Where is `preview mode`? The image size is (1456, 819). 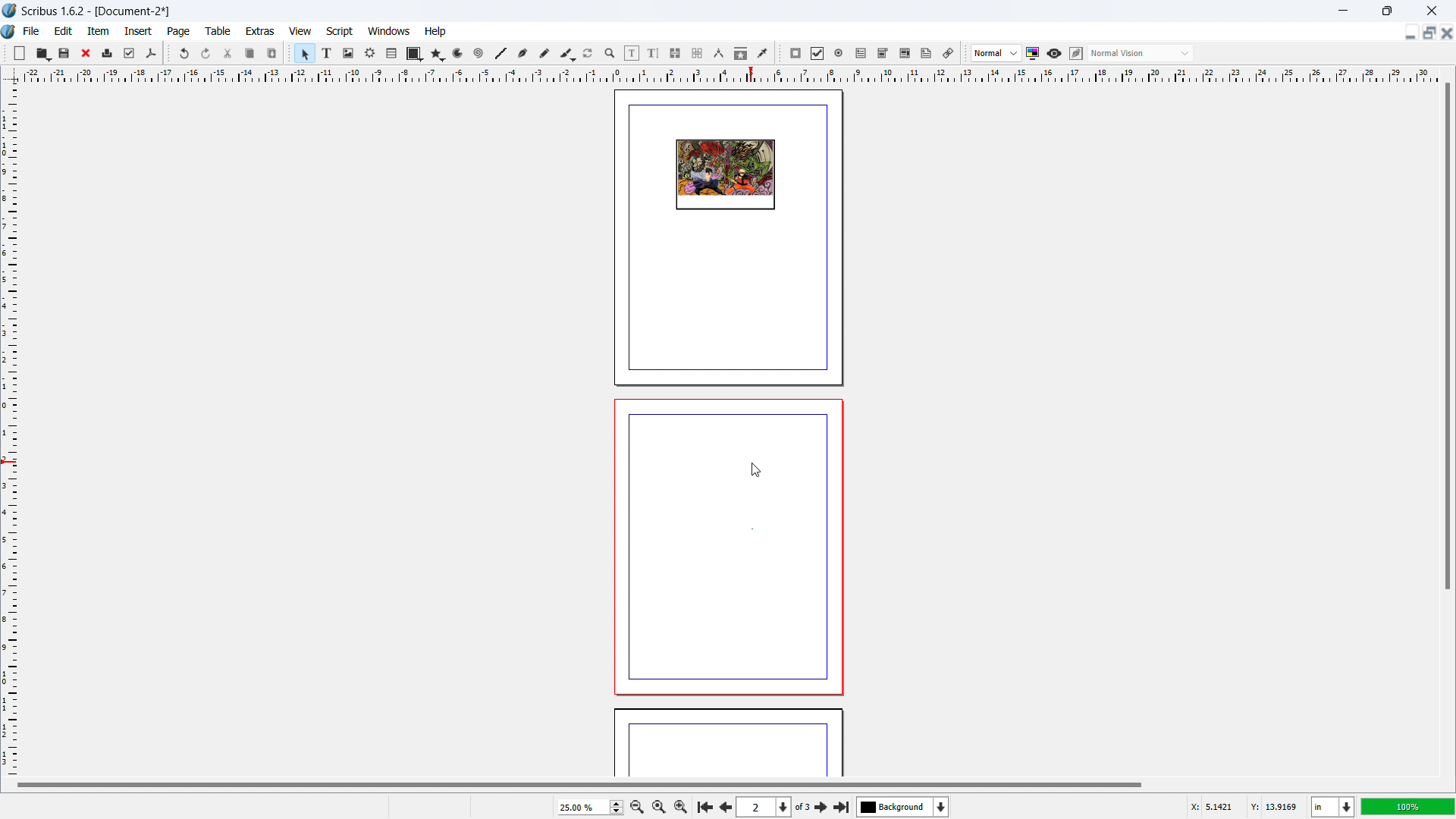 preview mode is located at coordinates (1054, 54).